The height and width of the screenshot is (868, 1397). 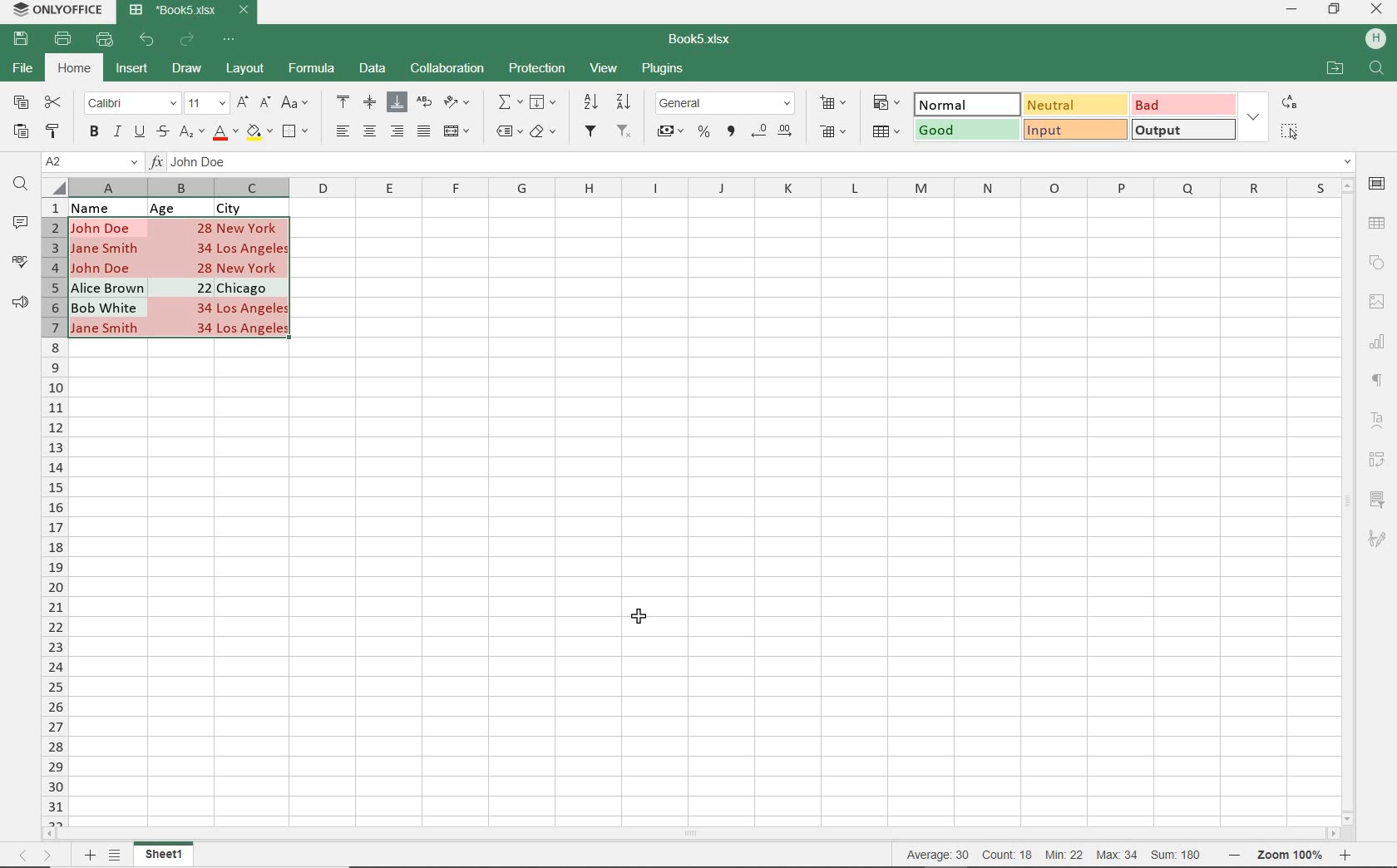 I want to click on FILE, so click(x=21, y=69).